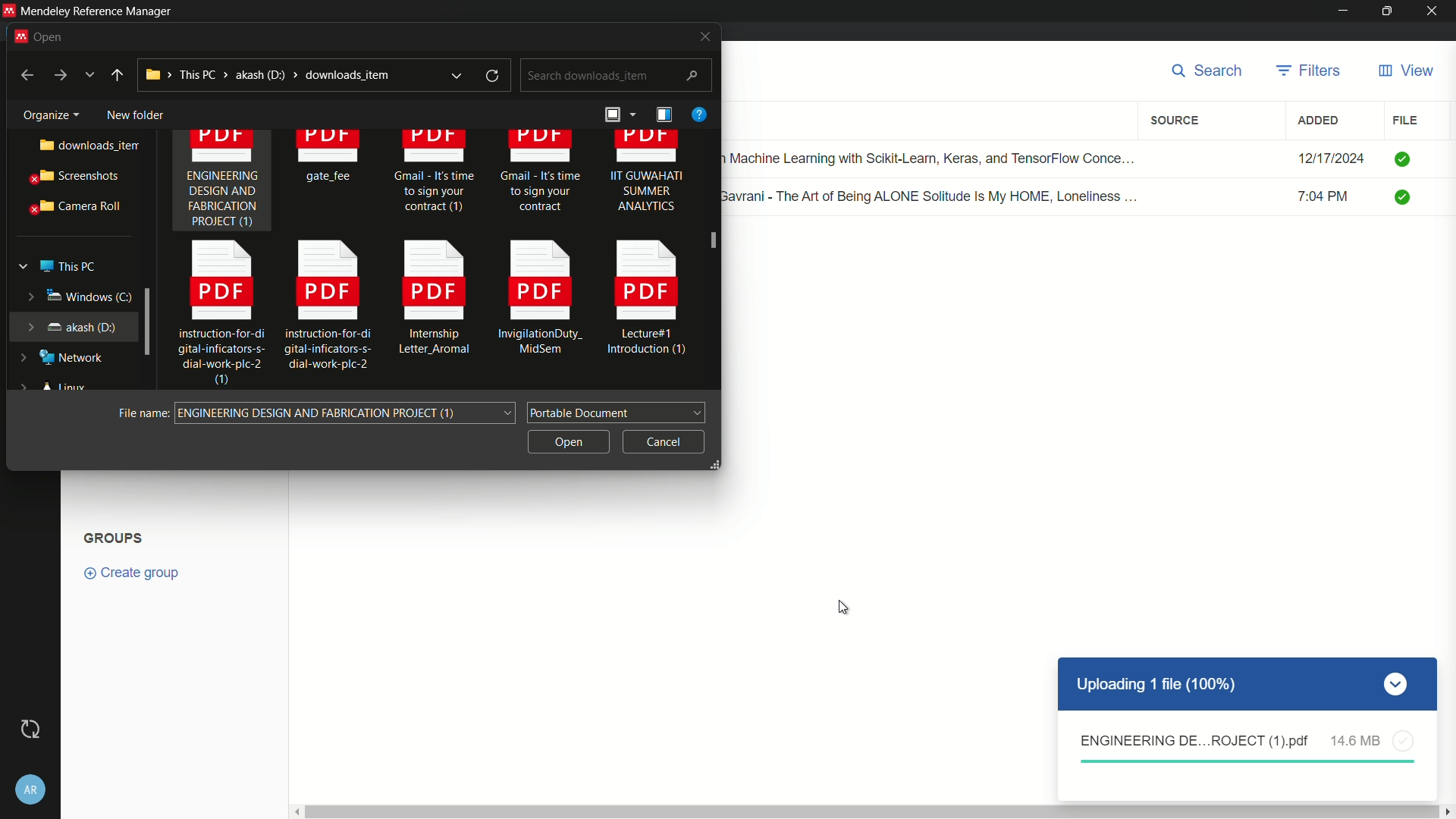 This screenshot has height=819, width=1456. I want to click on Hands-on Machine Learning with Scikit-Learn, Keras, and TensorFlow Conce..., so click(937, 155).